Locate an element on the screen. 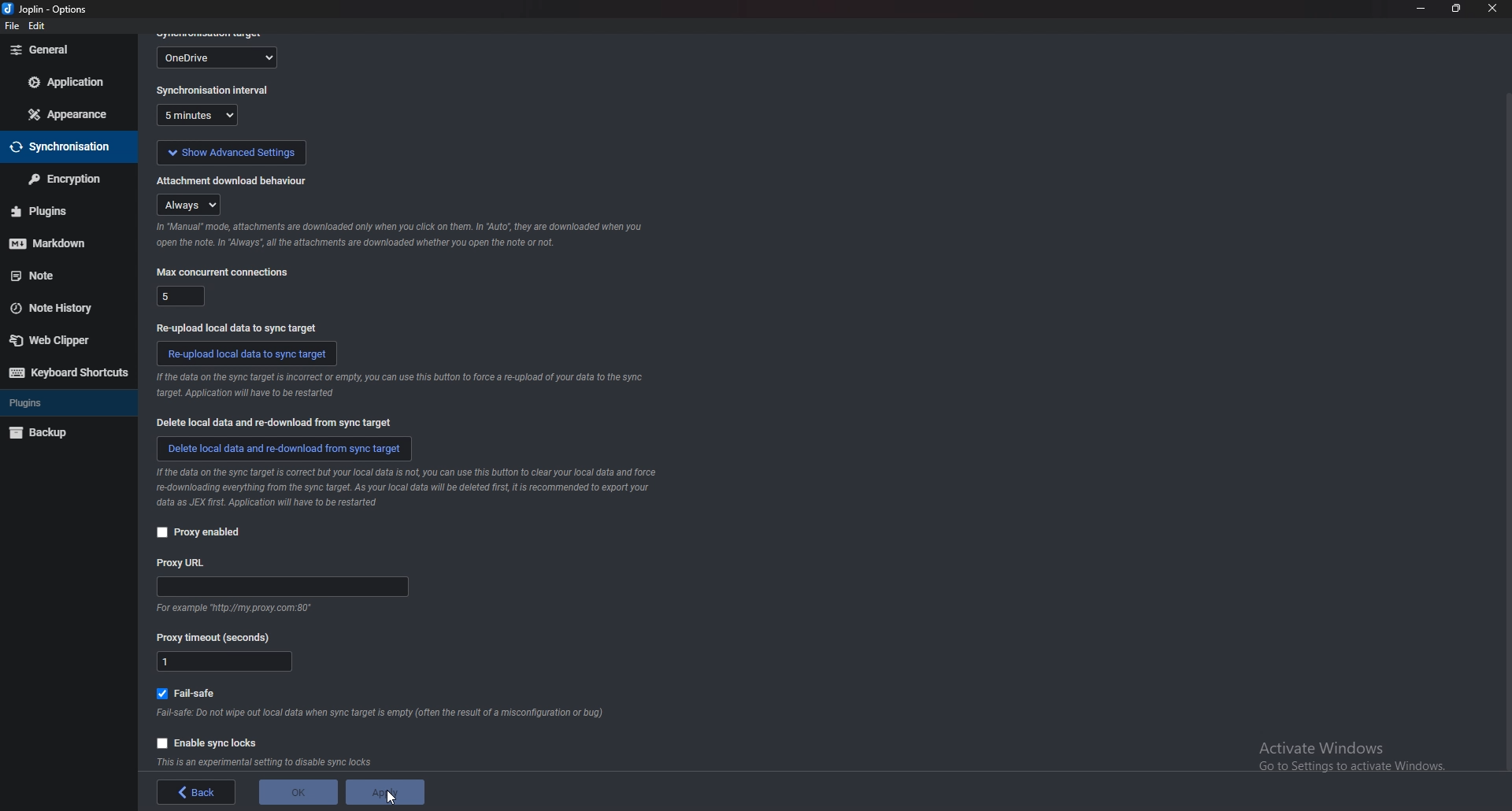  info is located at coordinates (231, 609).